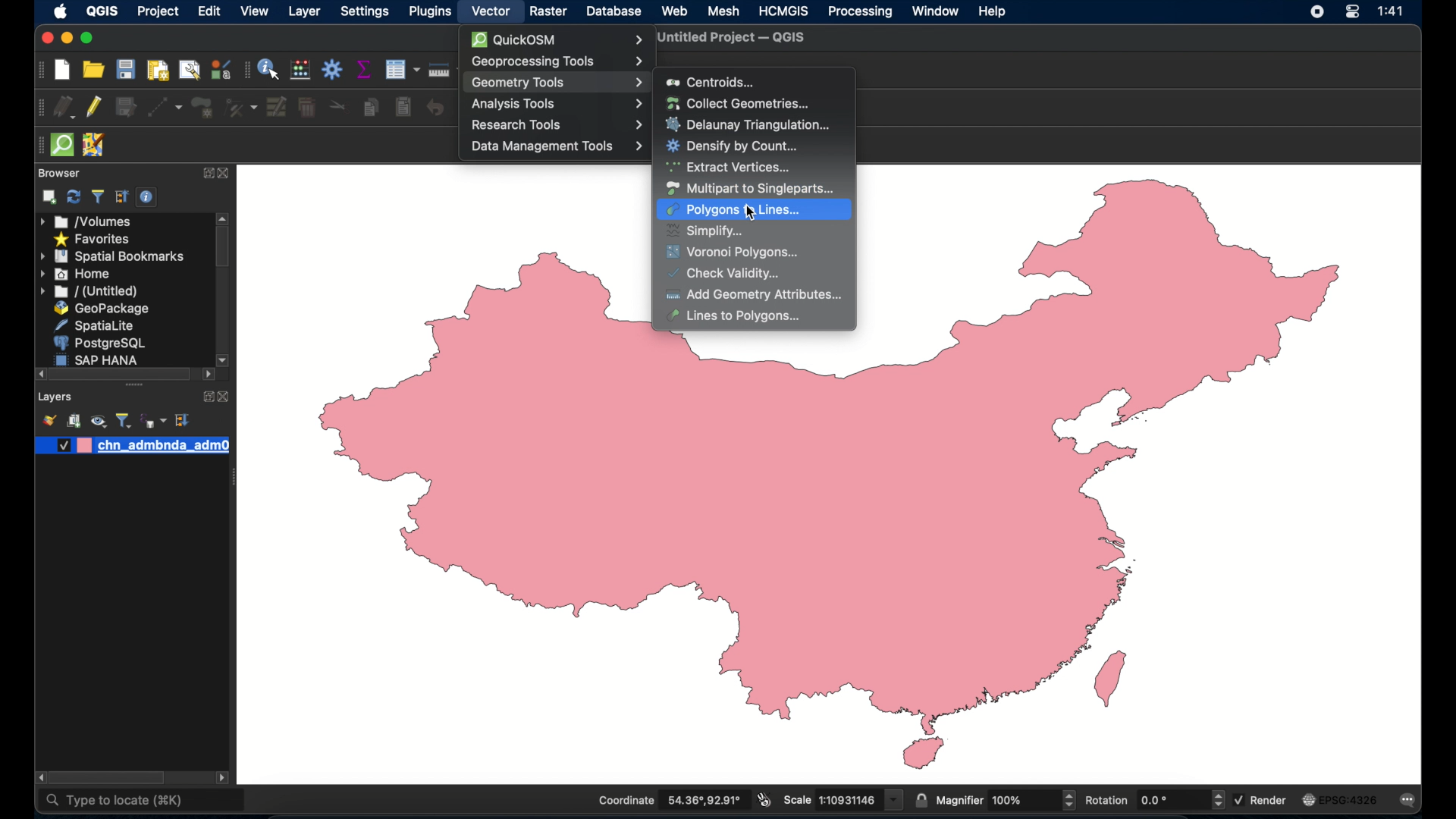  I want to click on project toolbar, so click(42, 70).